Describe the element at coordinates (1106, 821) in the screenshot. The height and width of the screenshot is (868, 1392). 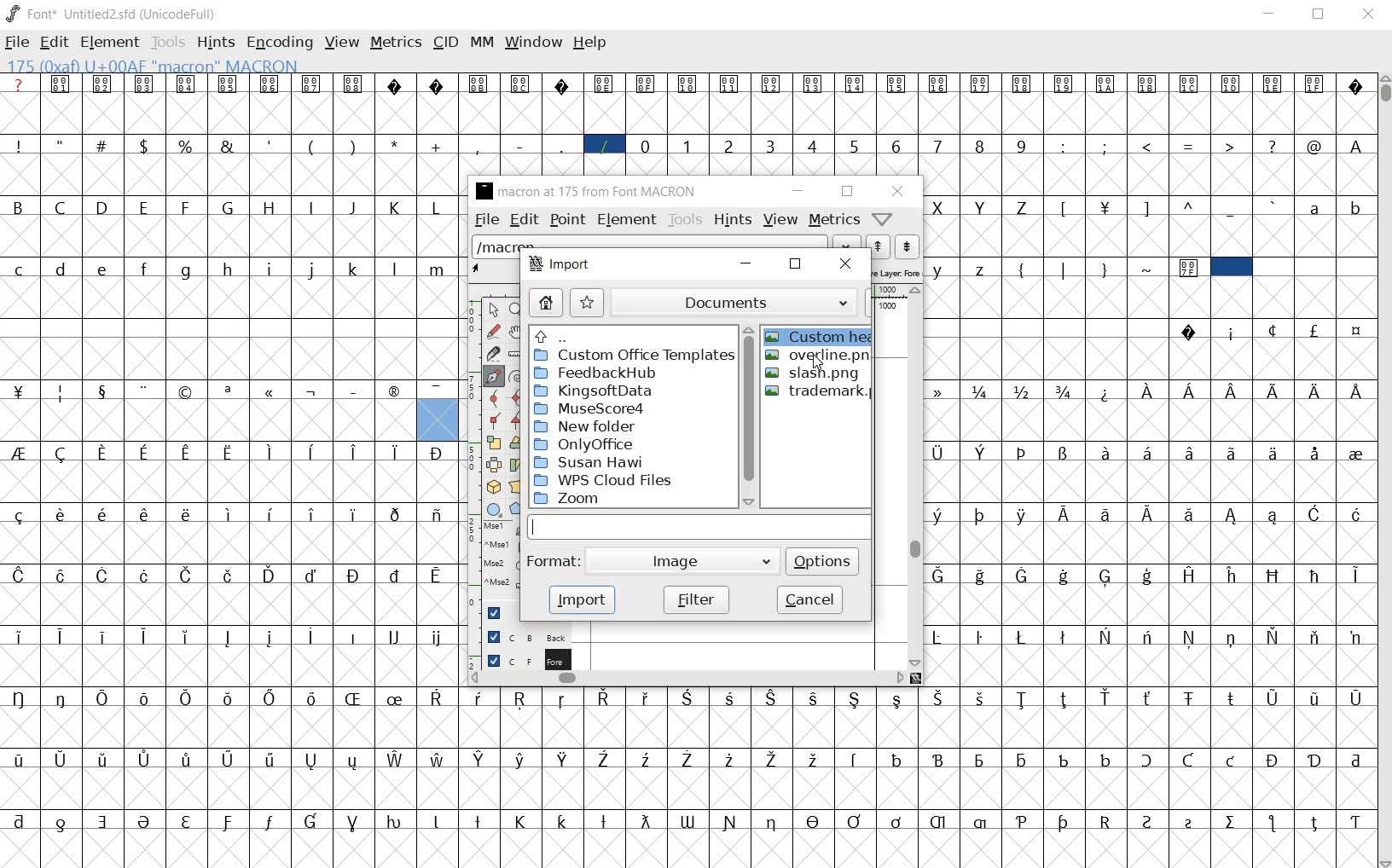
I see `Symbol` at that location.